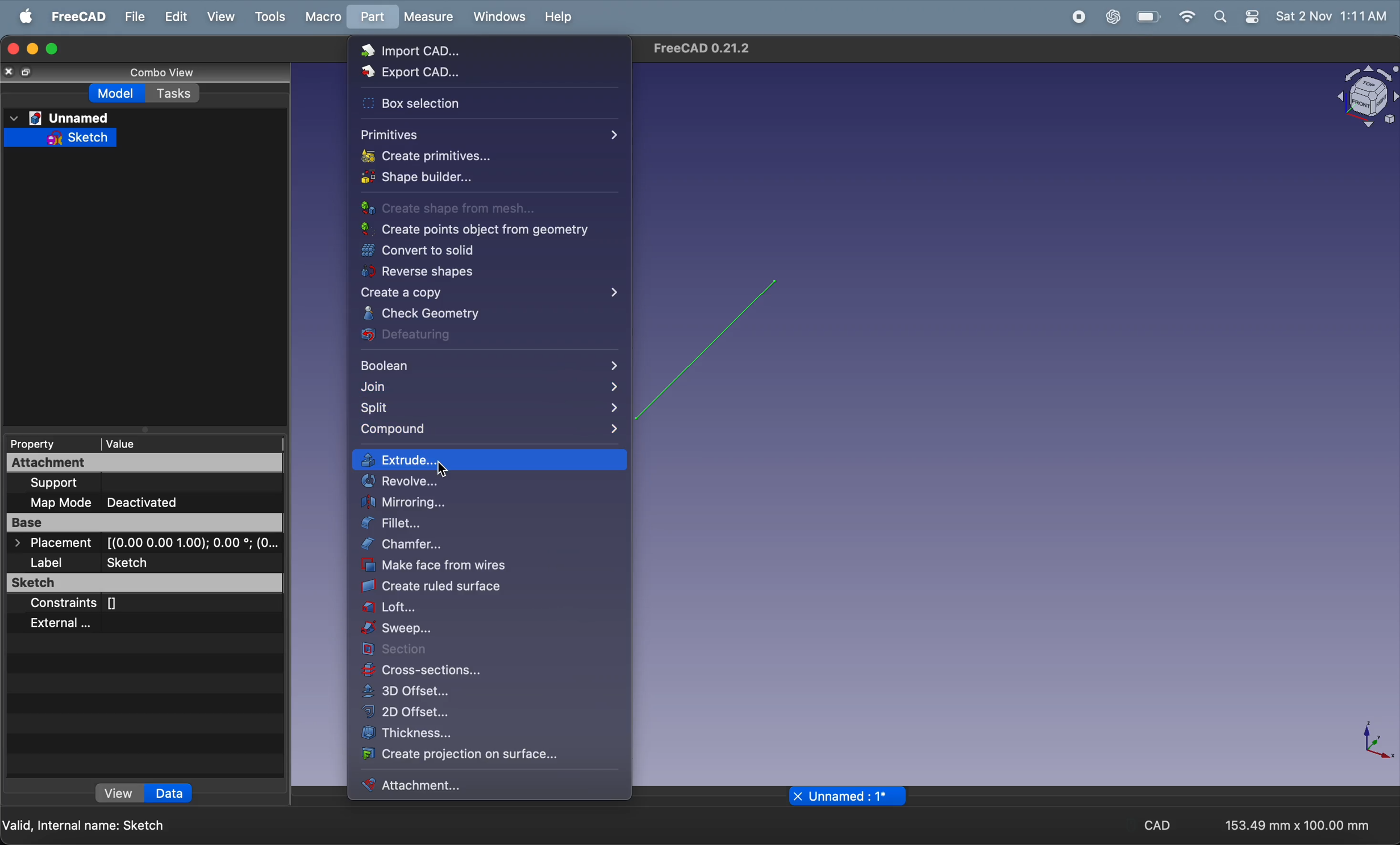  Describe the element at coordinates (492, 588) in the screenshot. I see `create ruled surface` at that location.